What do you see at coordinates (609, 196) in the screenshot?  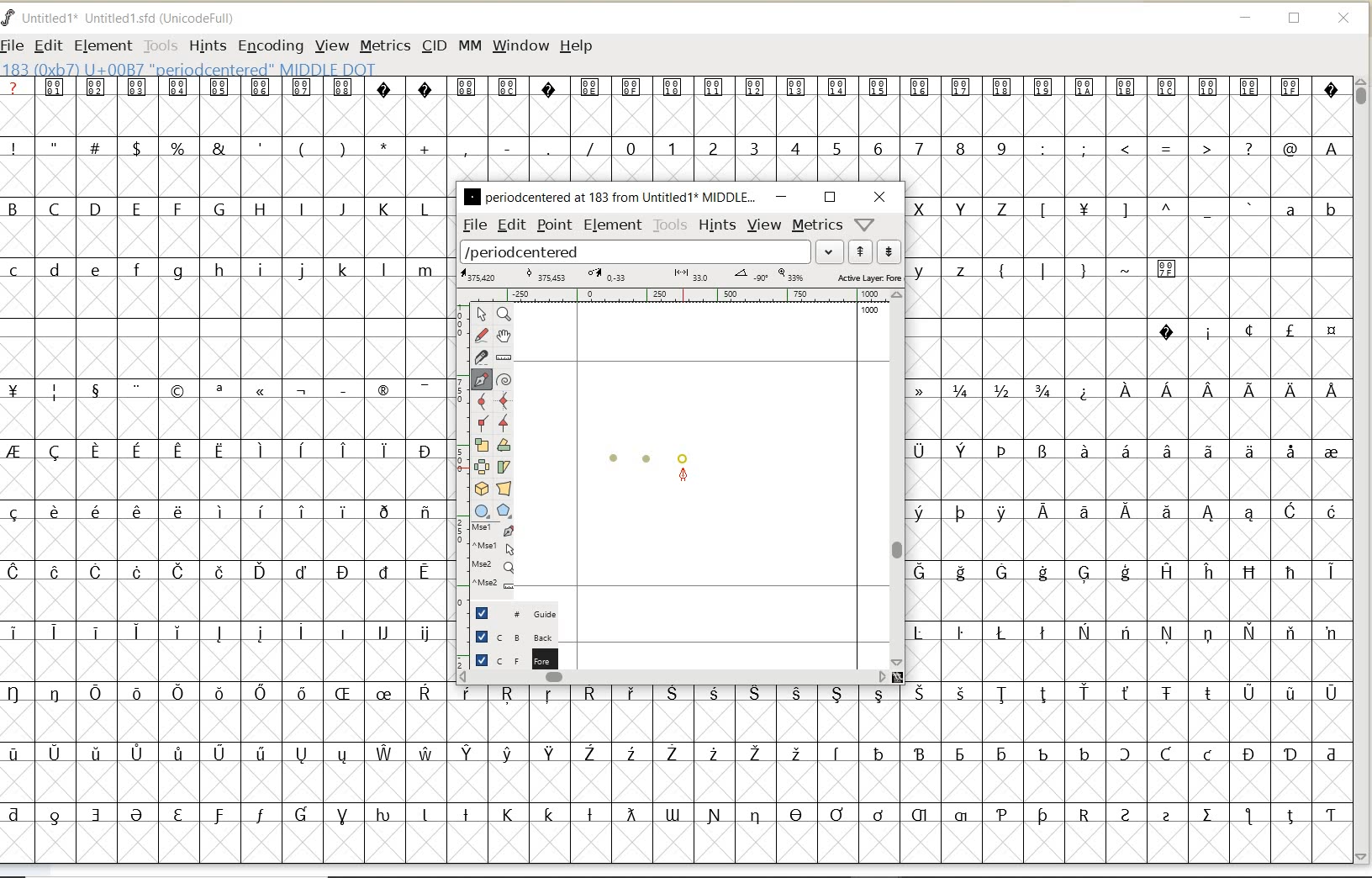 I see `glyph name` at bounding box center [609, 196].